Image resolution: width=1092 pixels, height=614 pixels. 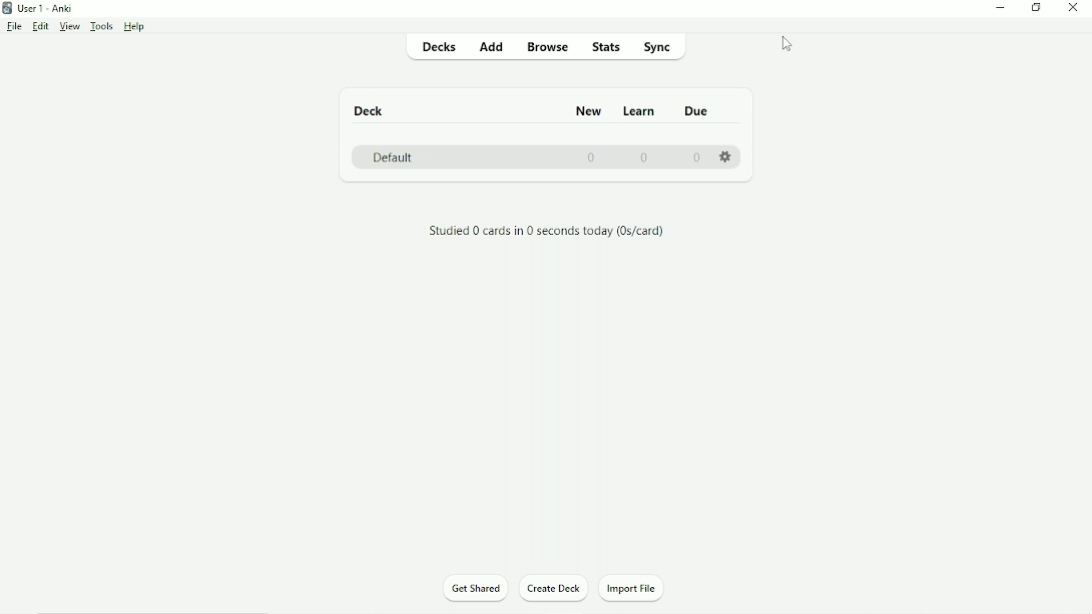 I want to click on 0, so click(x=644, y=157).